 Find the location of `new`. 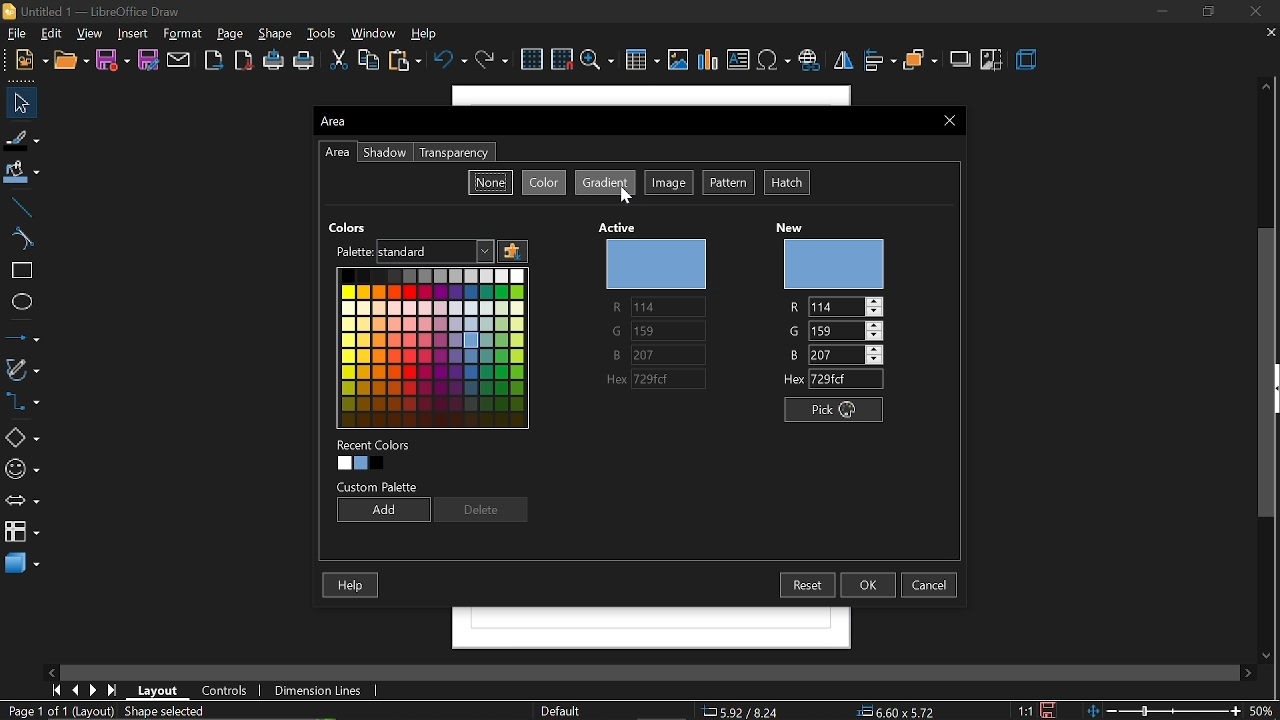

new is located at coordinates (839, 264).